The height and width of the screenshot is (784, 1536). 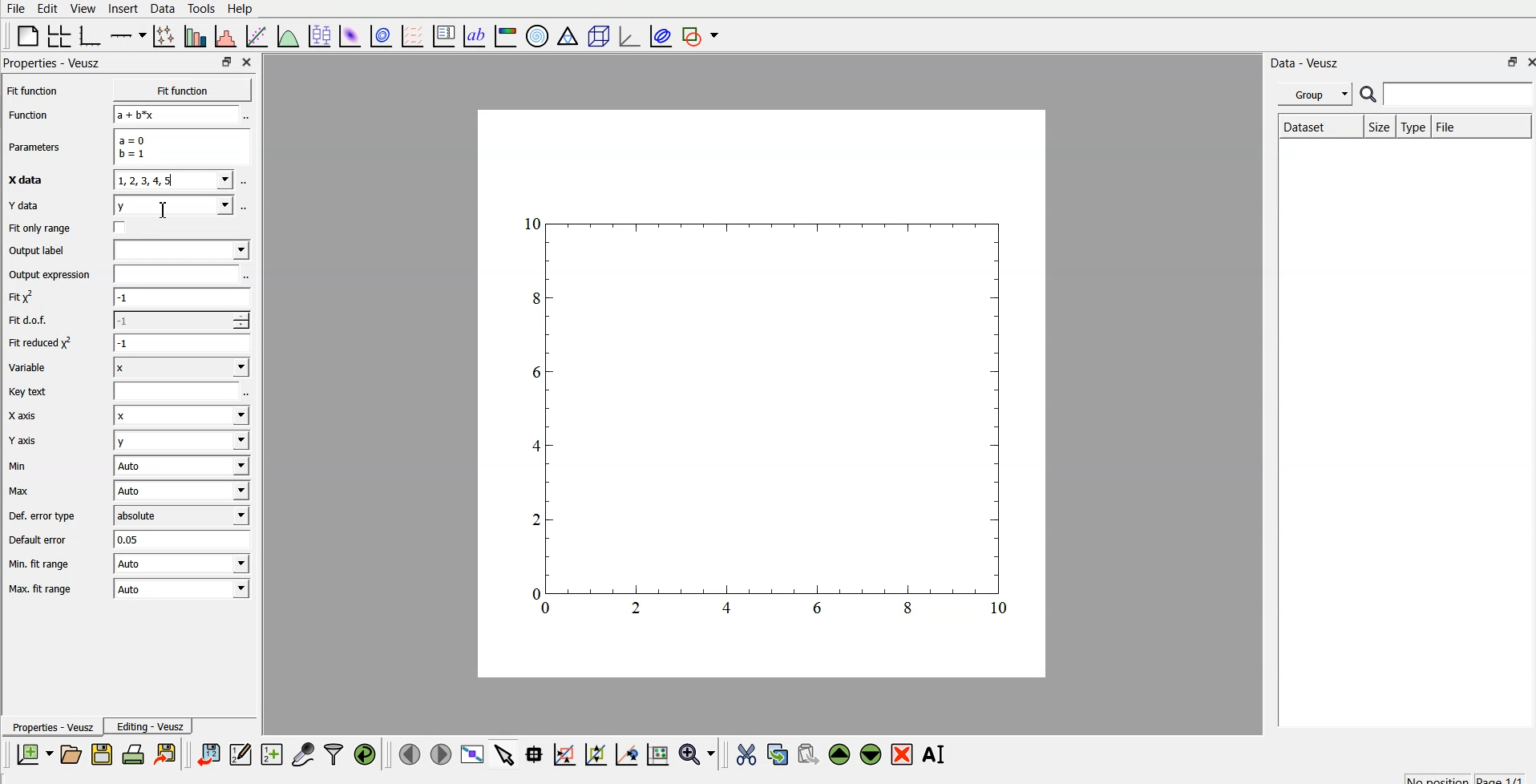 I want to click on previous page , so click(x=409, y=755).